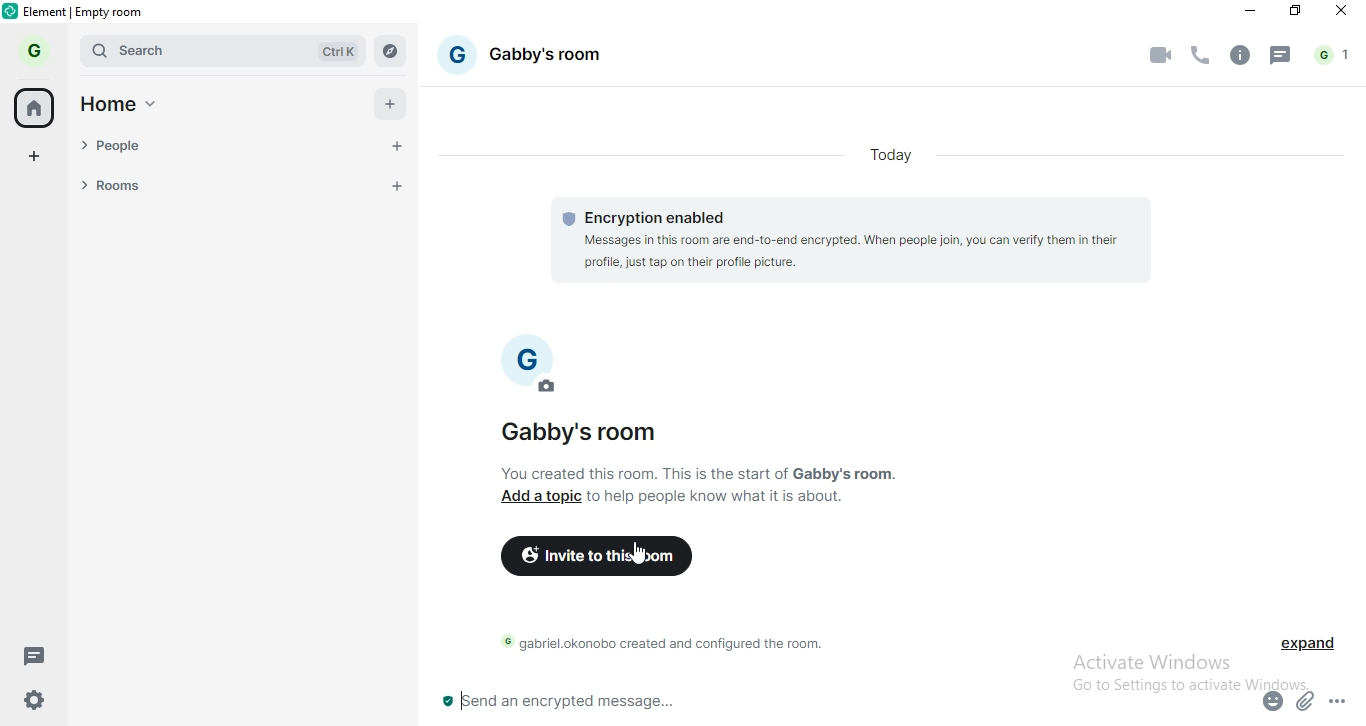  Describe the element at coordinates (585, 434) in the screenshot. I see `gabby's room` at that location.